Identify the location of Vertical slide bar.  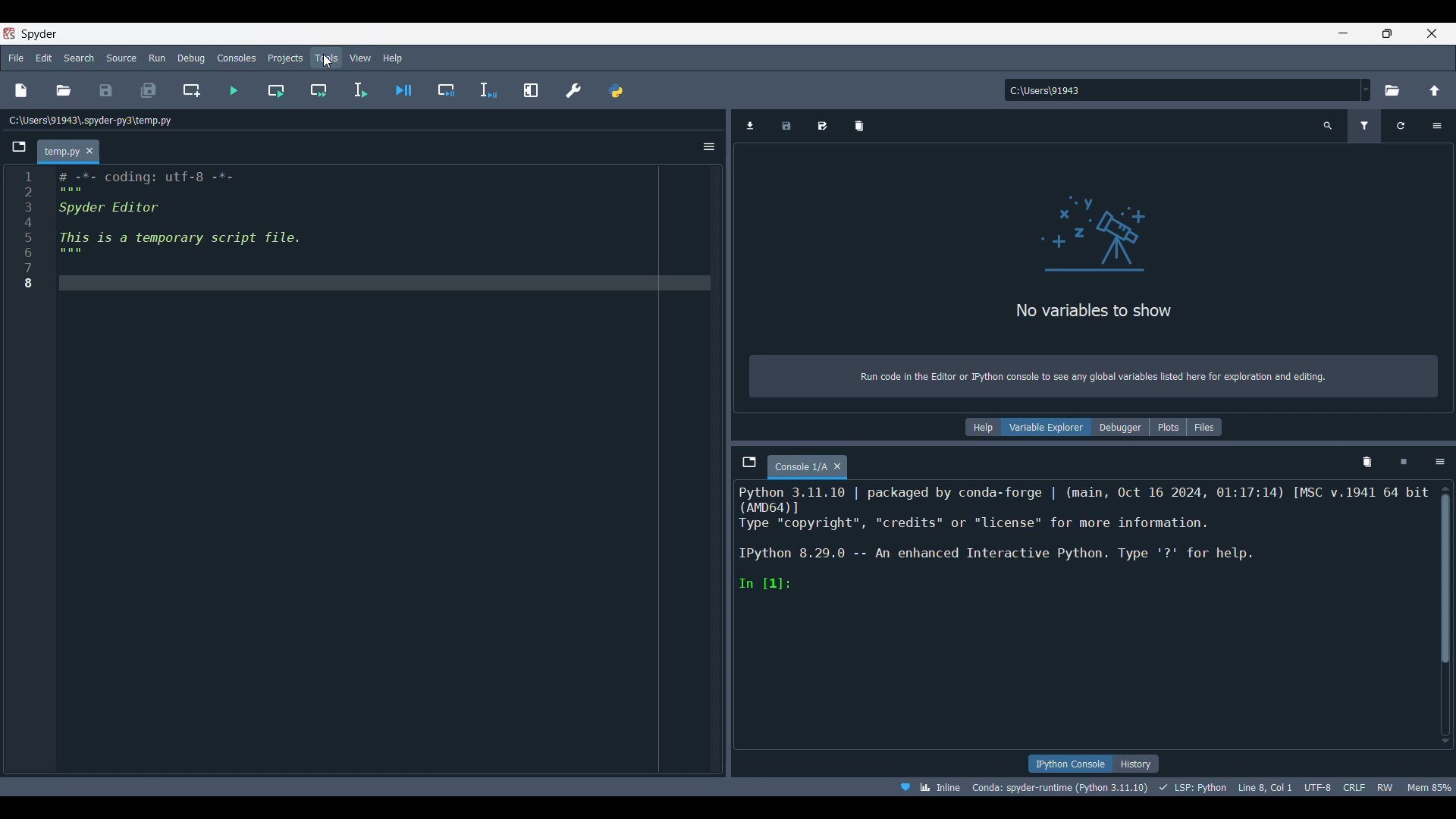
(1445, 615).